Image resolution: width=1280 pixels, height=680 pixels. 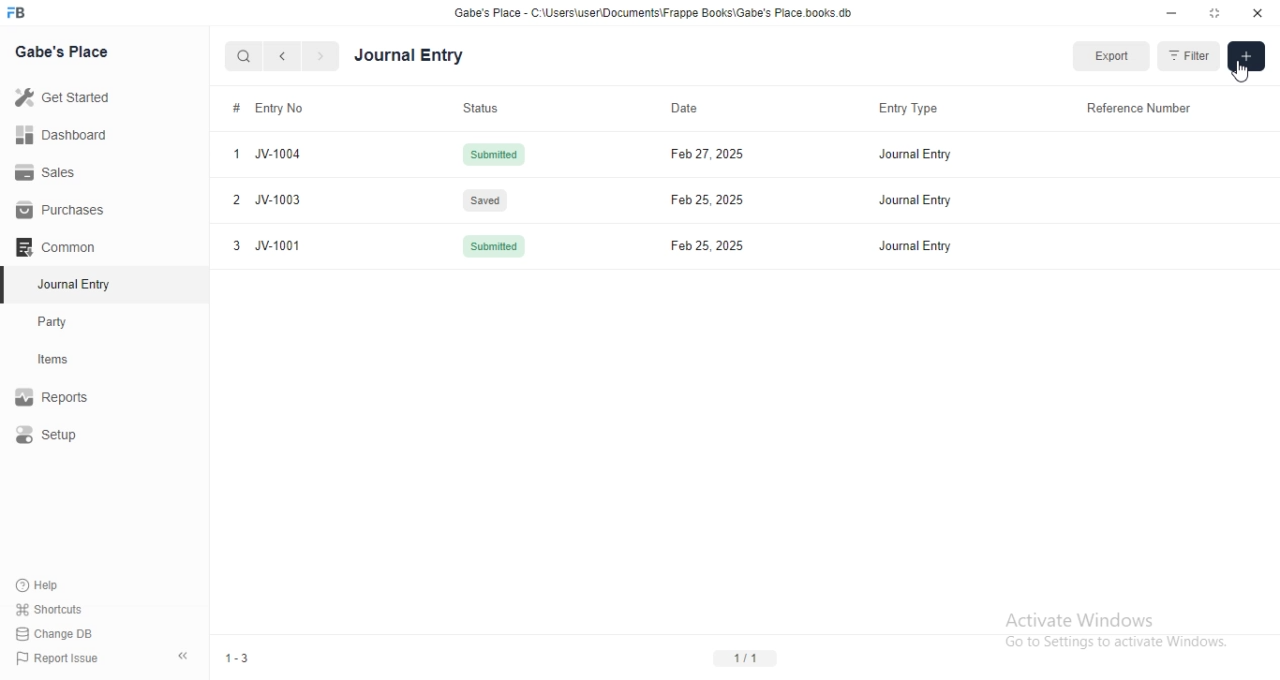 What do you see at coordinates (63, 210) in the screenshot?
I see `Purchases` at bounding box center [63, 210].